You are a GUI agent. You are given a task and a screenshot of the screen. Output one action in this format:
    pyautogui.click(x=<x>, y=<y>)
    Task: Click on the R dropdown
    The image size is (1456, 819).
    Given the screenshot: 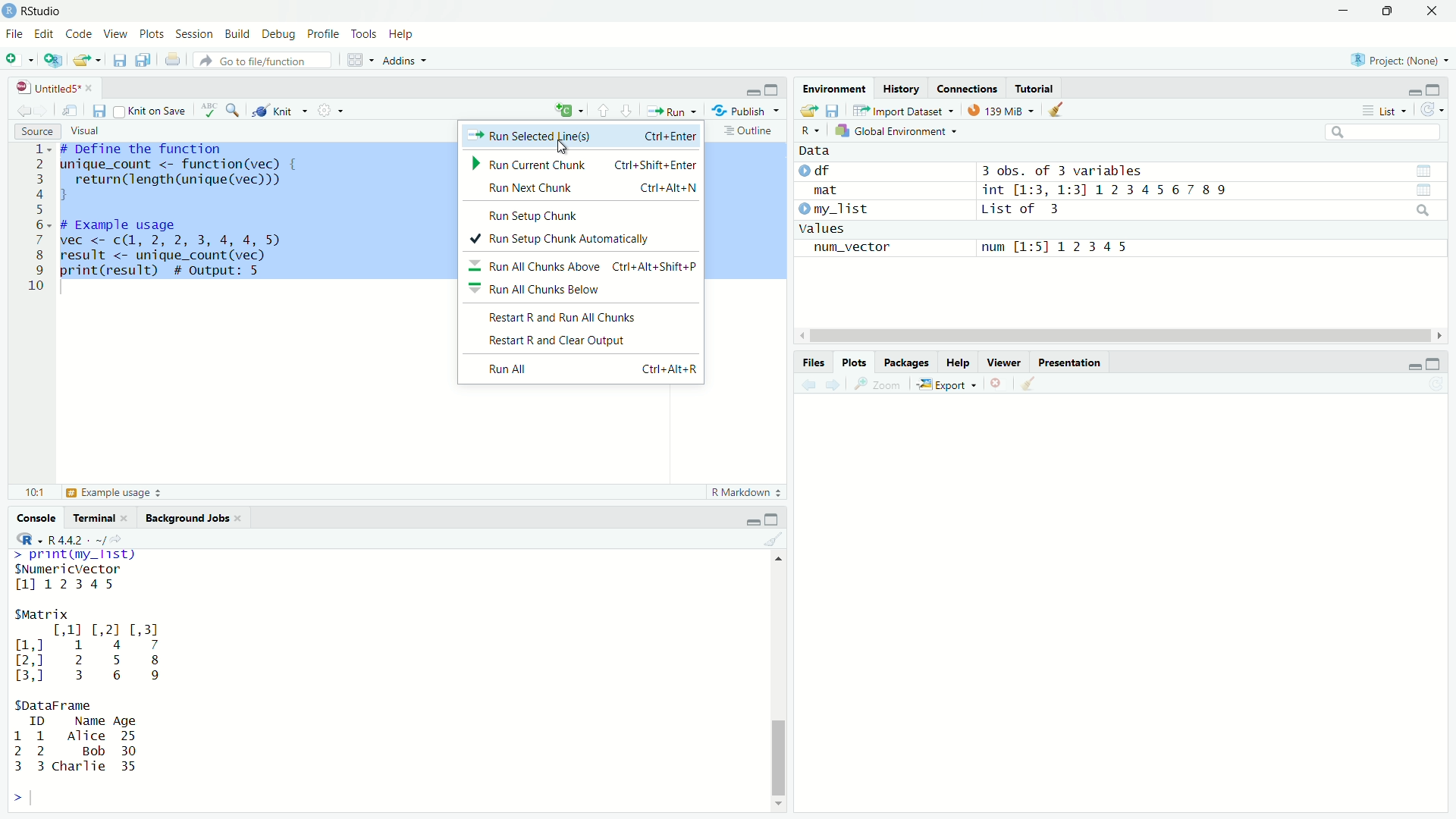 What is the action you would take?
    pyautogui.click(x=30, y=539)
    